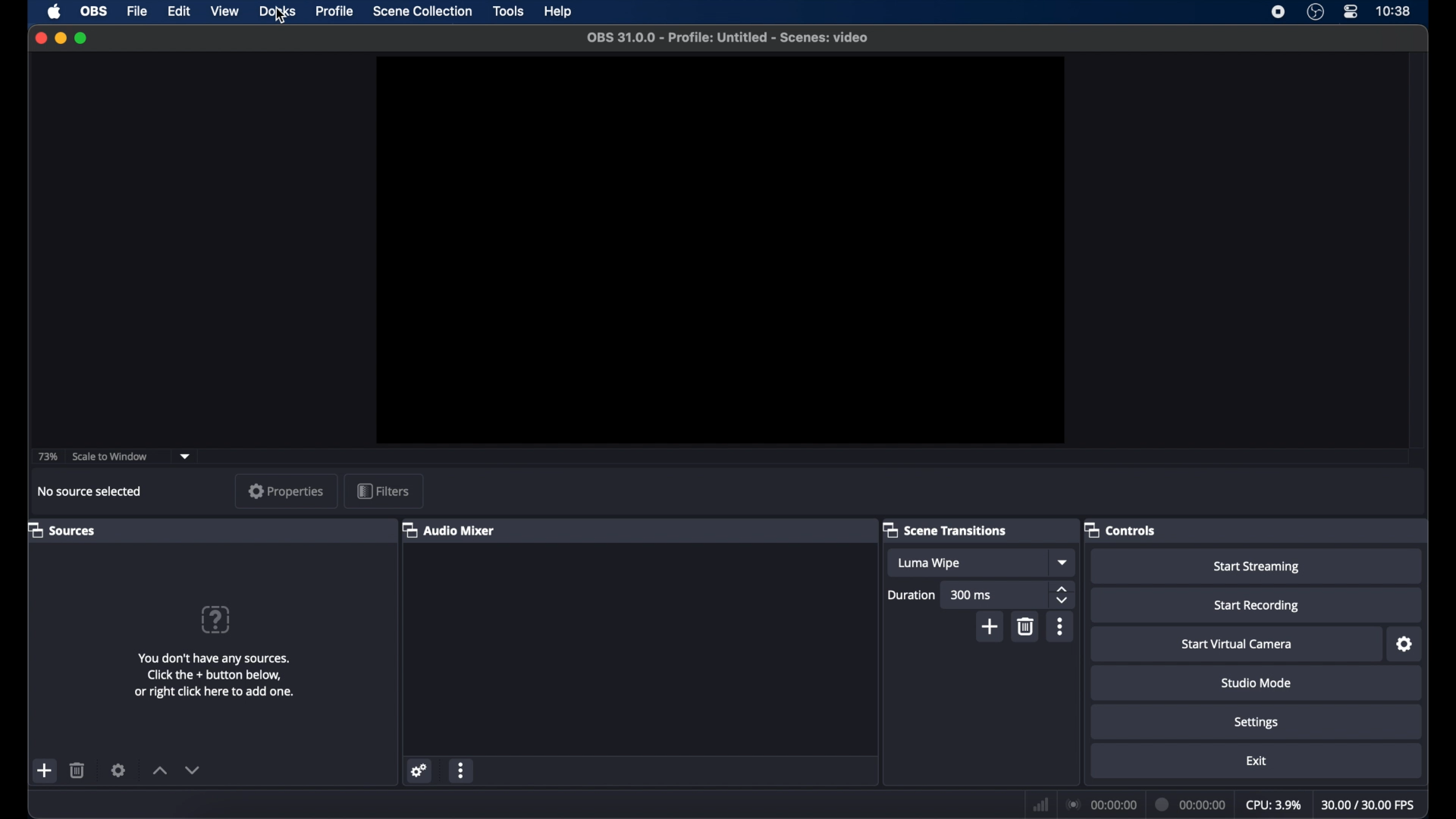 This screenshot has height=819, width=1456. I want to click on cpu: 3.9%, so click(1274, 805).